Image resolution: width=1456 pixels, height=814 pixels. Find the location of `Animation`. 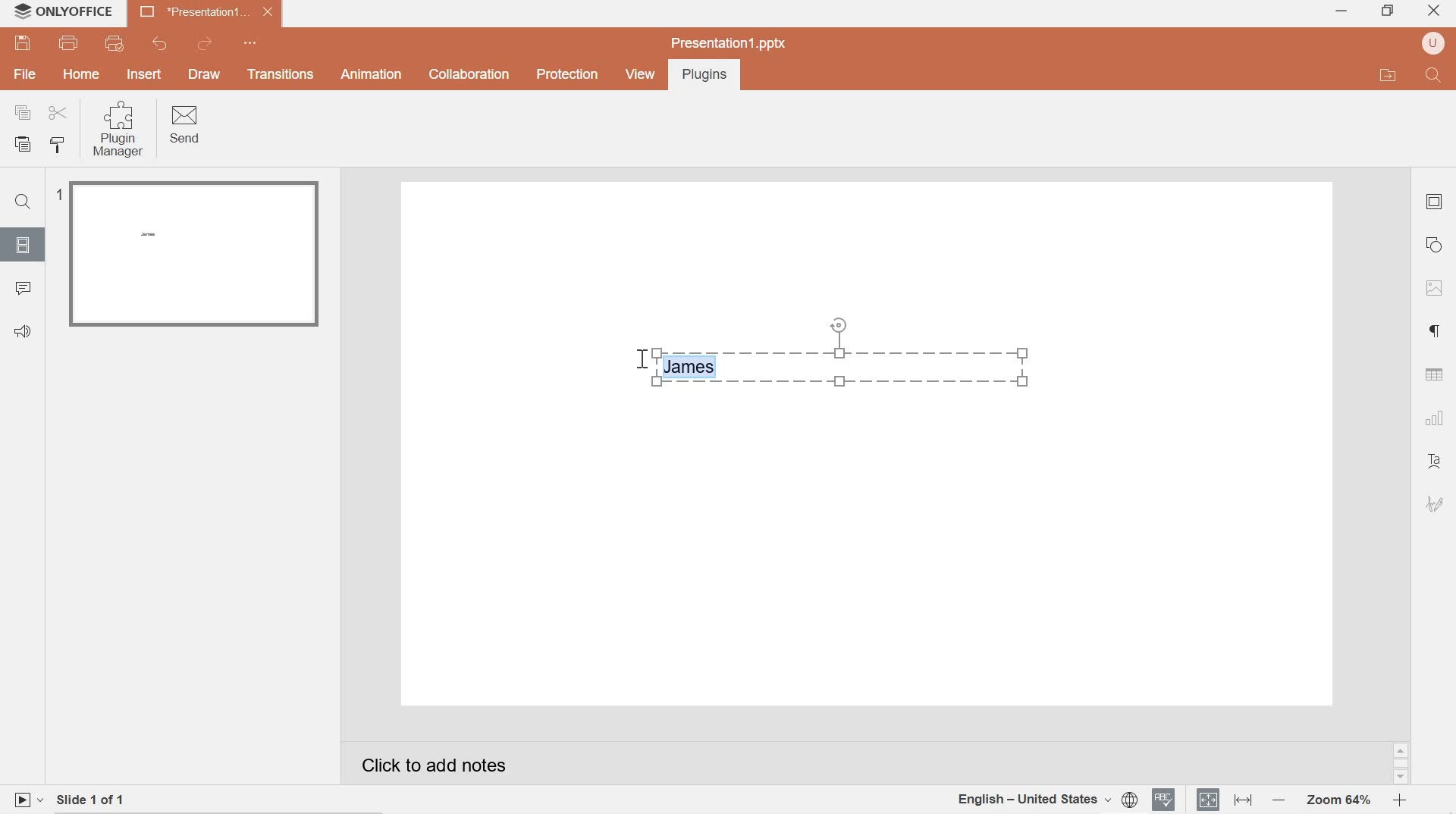

Animation is located at coordinates (372, 74).